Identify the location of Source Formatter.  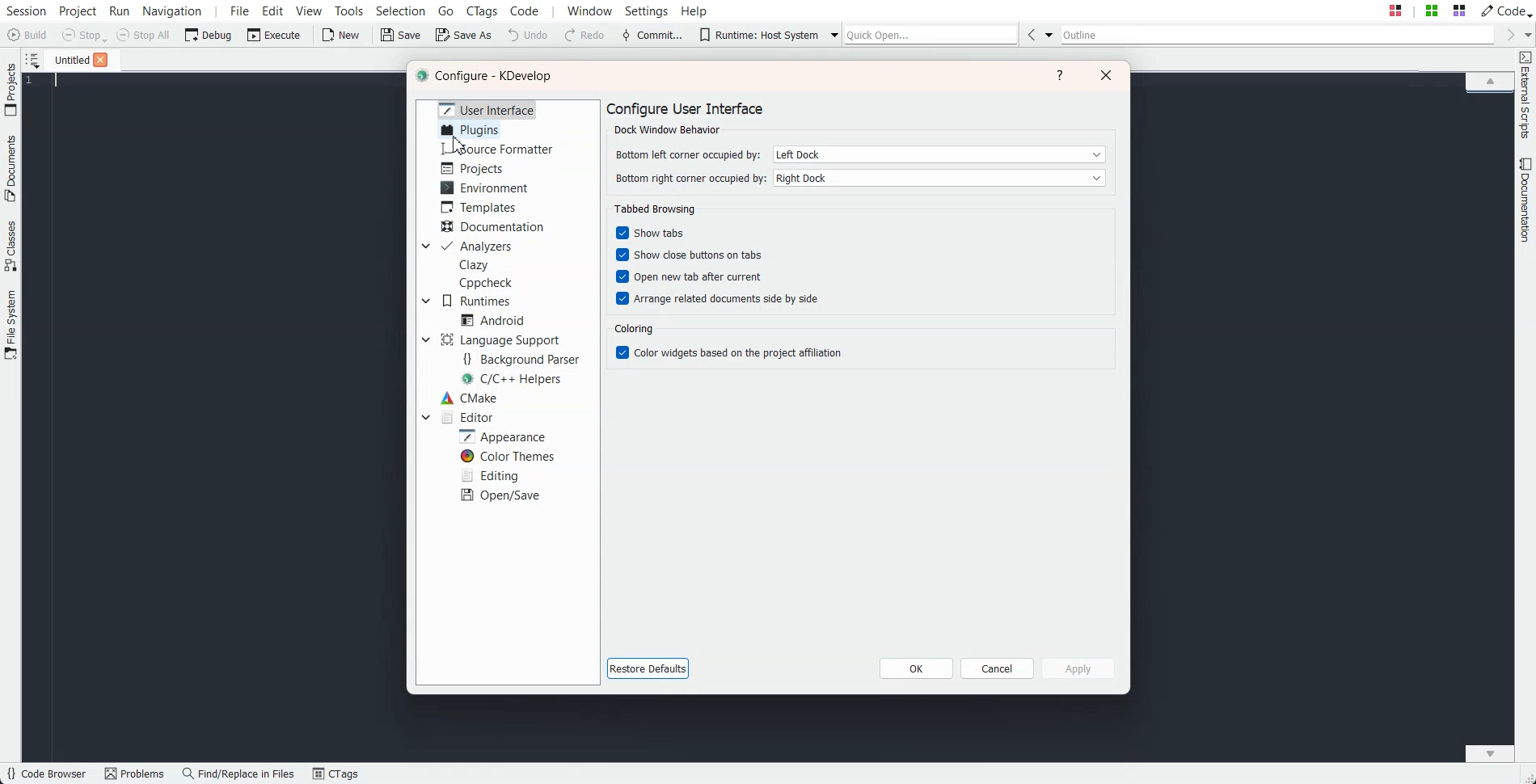
(496, 150).